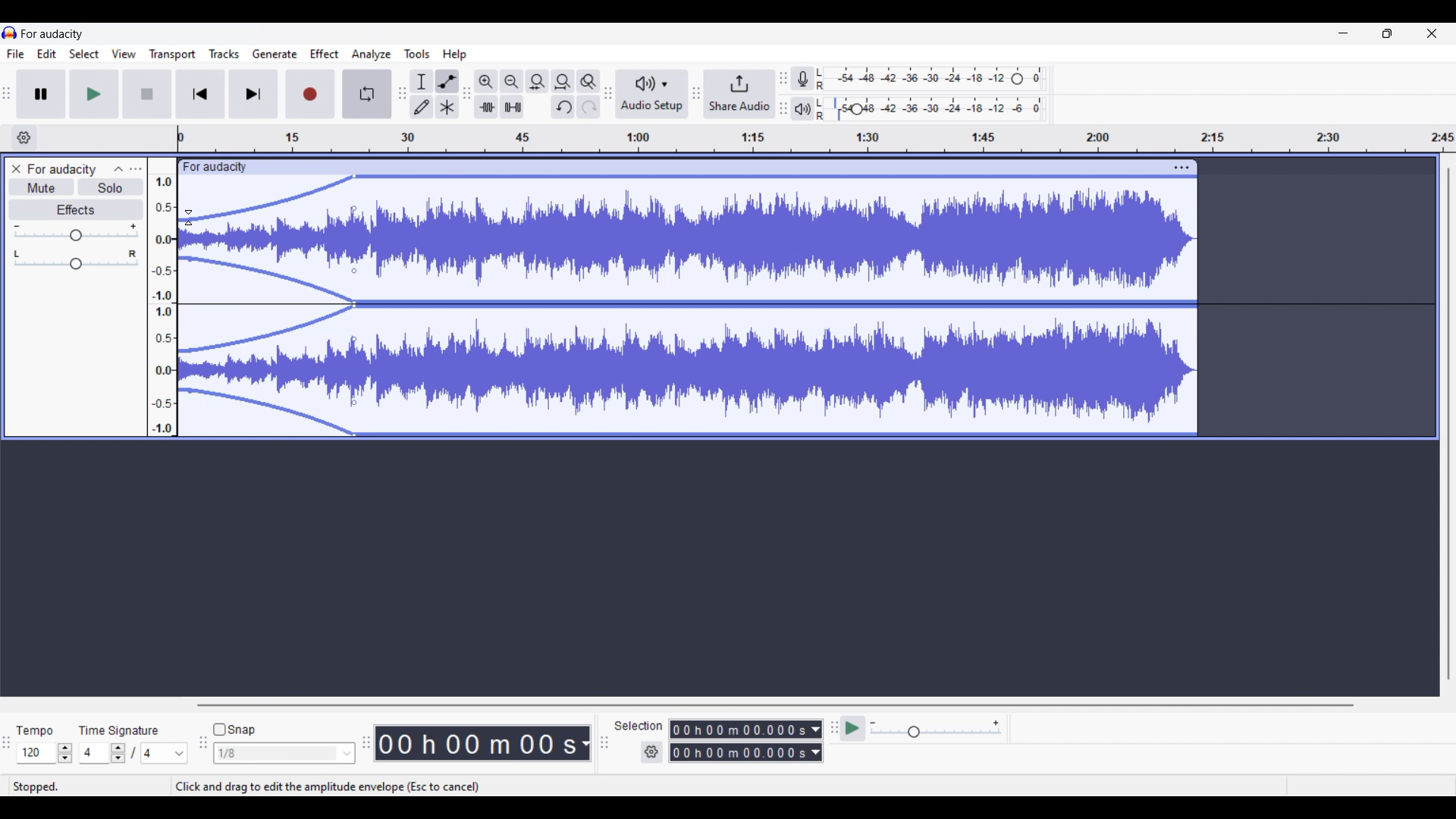  What do you see at coordinates (638, 725) in the screenshot?
I see `selection` at bounding box center [638, 725].